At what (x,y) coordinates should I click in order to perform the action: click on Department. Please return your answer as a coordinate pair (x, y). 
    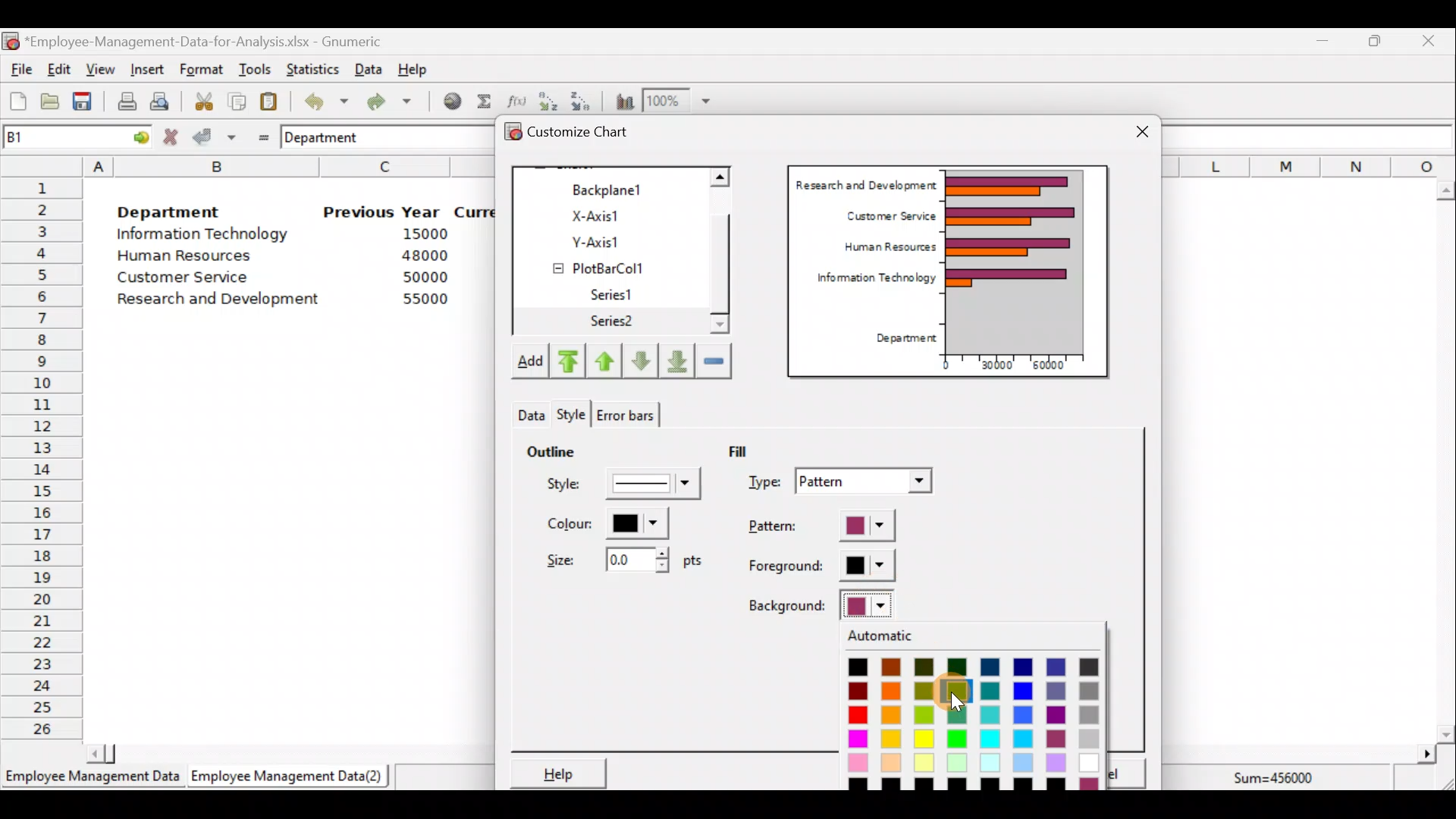
    Looking at the image, I should click on (901, 339).